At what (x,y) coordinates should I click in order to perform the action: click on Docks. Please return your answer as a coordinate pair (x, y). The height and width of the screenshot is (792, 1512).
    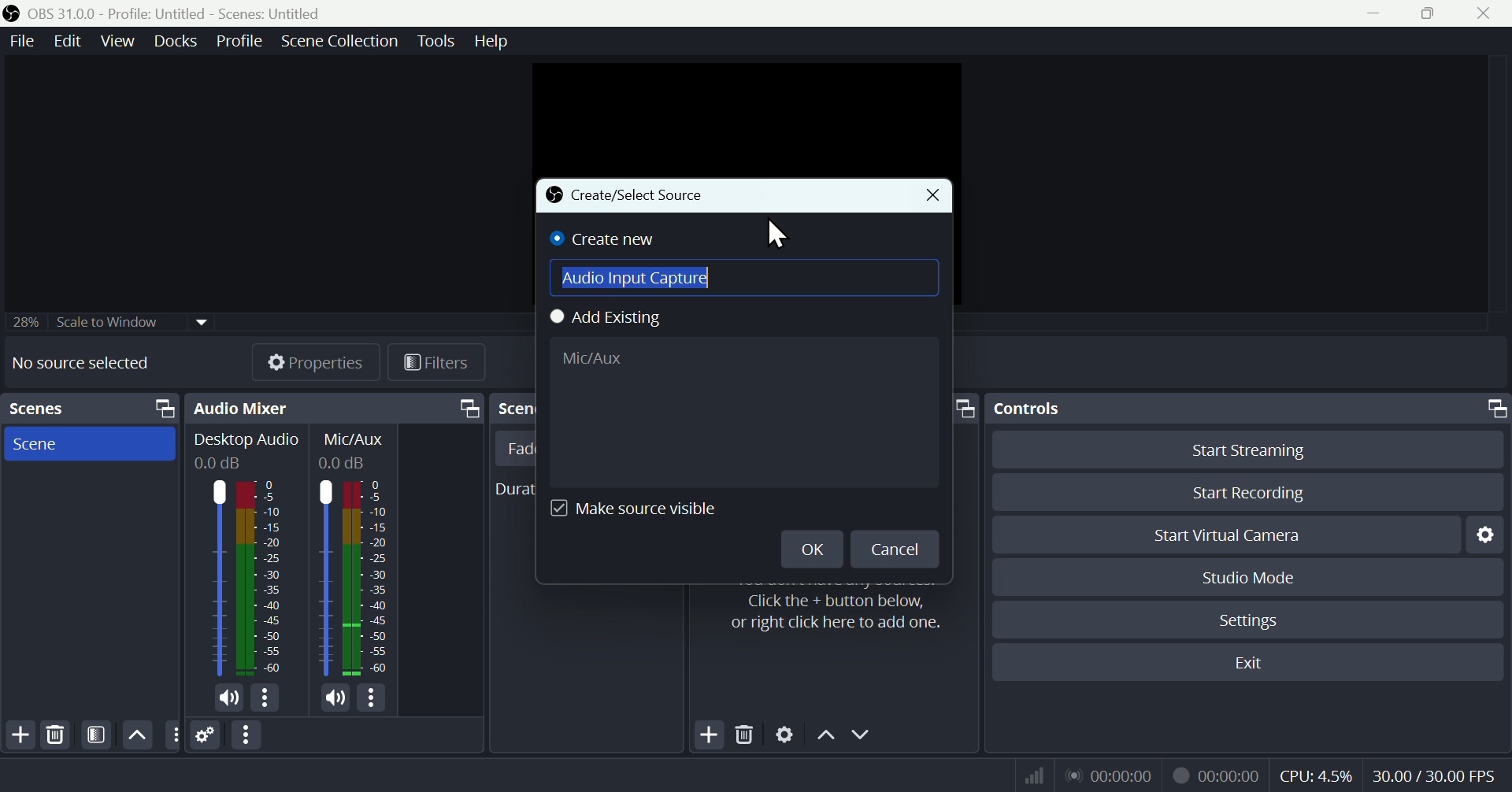
    Looking at the image, I should click on (179, 41).